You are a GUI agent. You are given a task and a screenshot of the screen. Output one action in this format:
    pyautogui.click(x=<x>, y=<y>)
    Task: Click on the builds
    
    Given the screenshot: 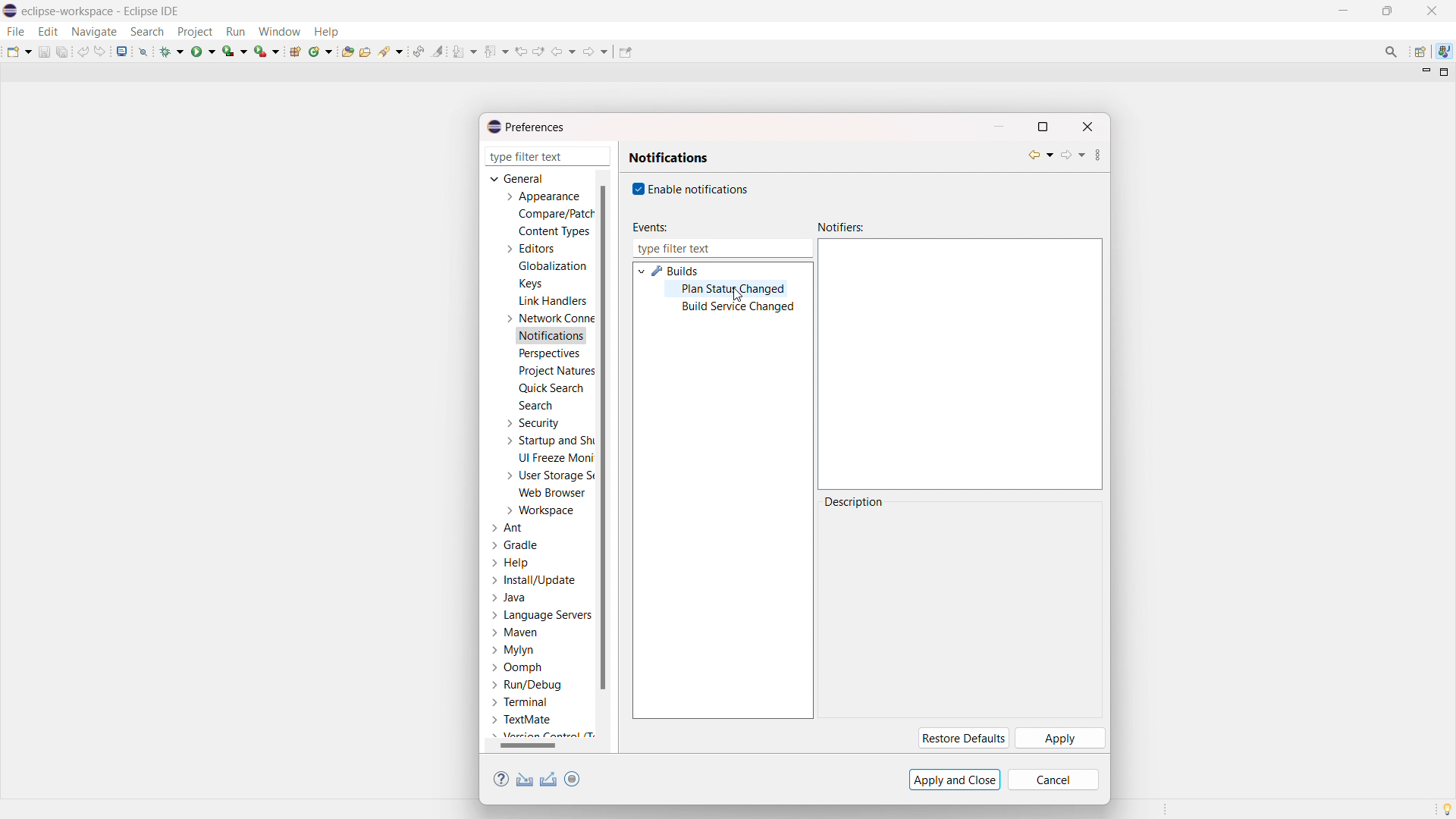 What is the action you would take?
    pyautogui.click(x=676, y=271)
    